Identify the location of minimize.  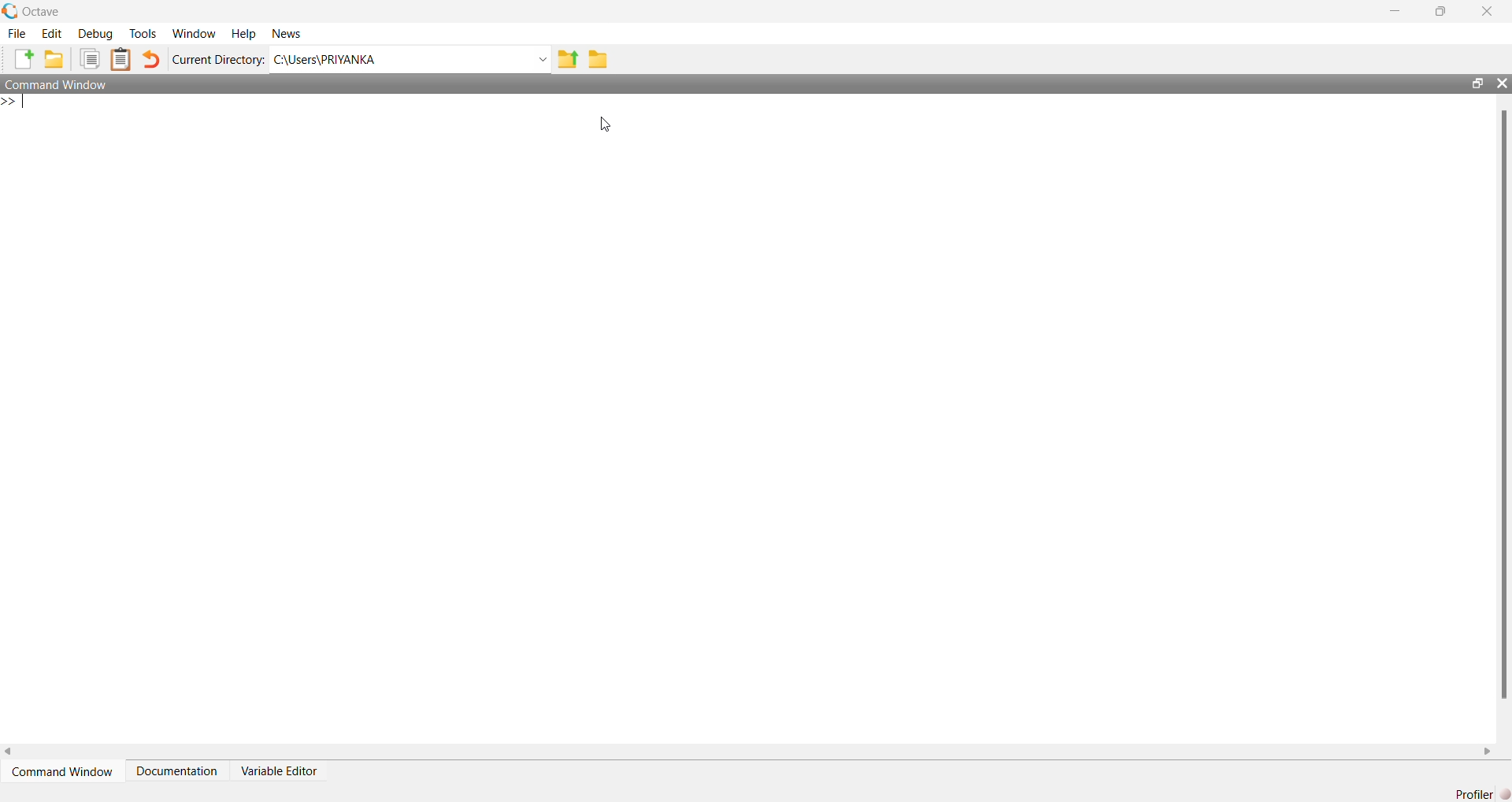
(1396, 10).